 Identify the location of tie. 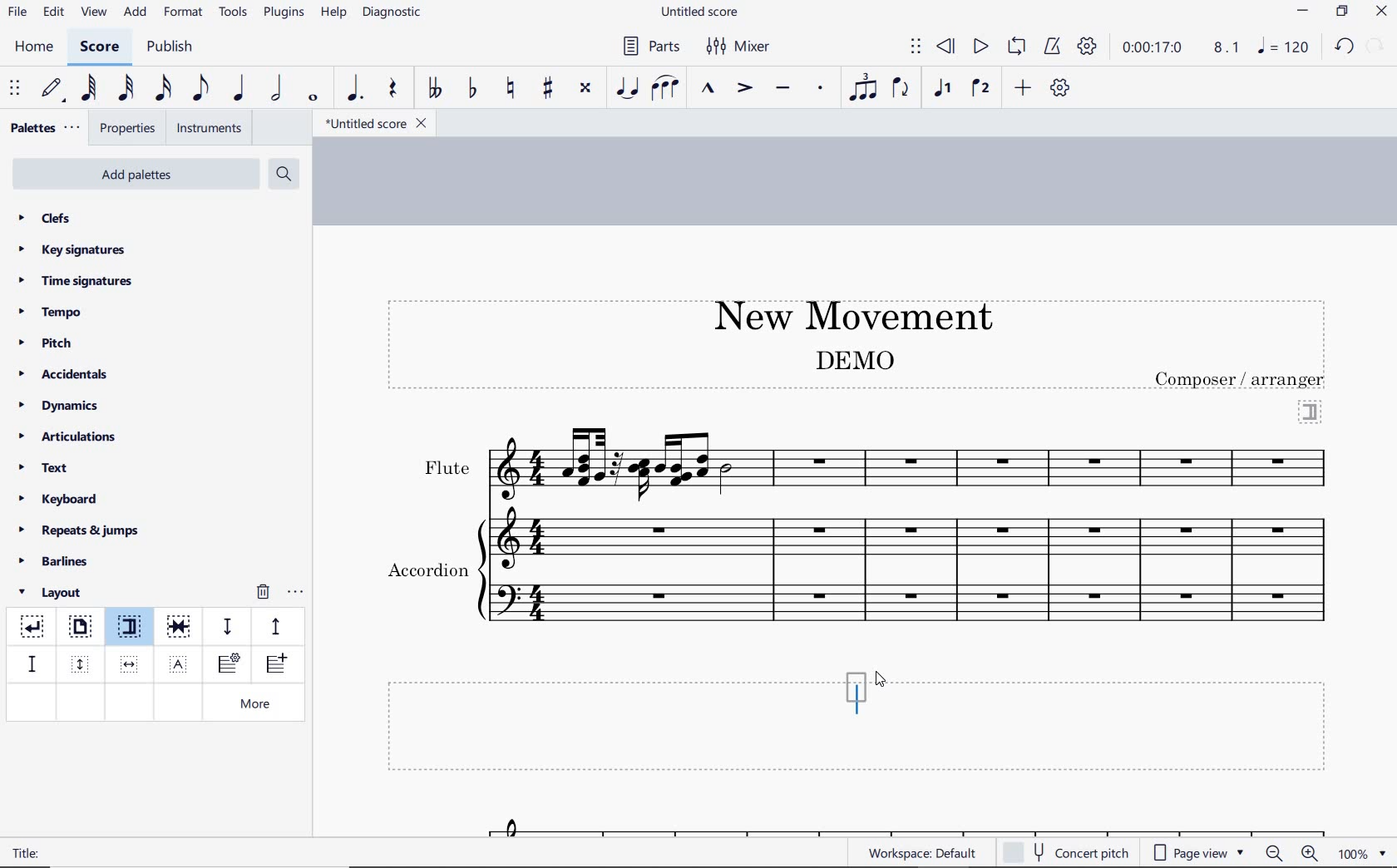
(629, 89).